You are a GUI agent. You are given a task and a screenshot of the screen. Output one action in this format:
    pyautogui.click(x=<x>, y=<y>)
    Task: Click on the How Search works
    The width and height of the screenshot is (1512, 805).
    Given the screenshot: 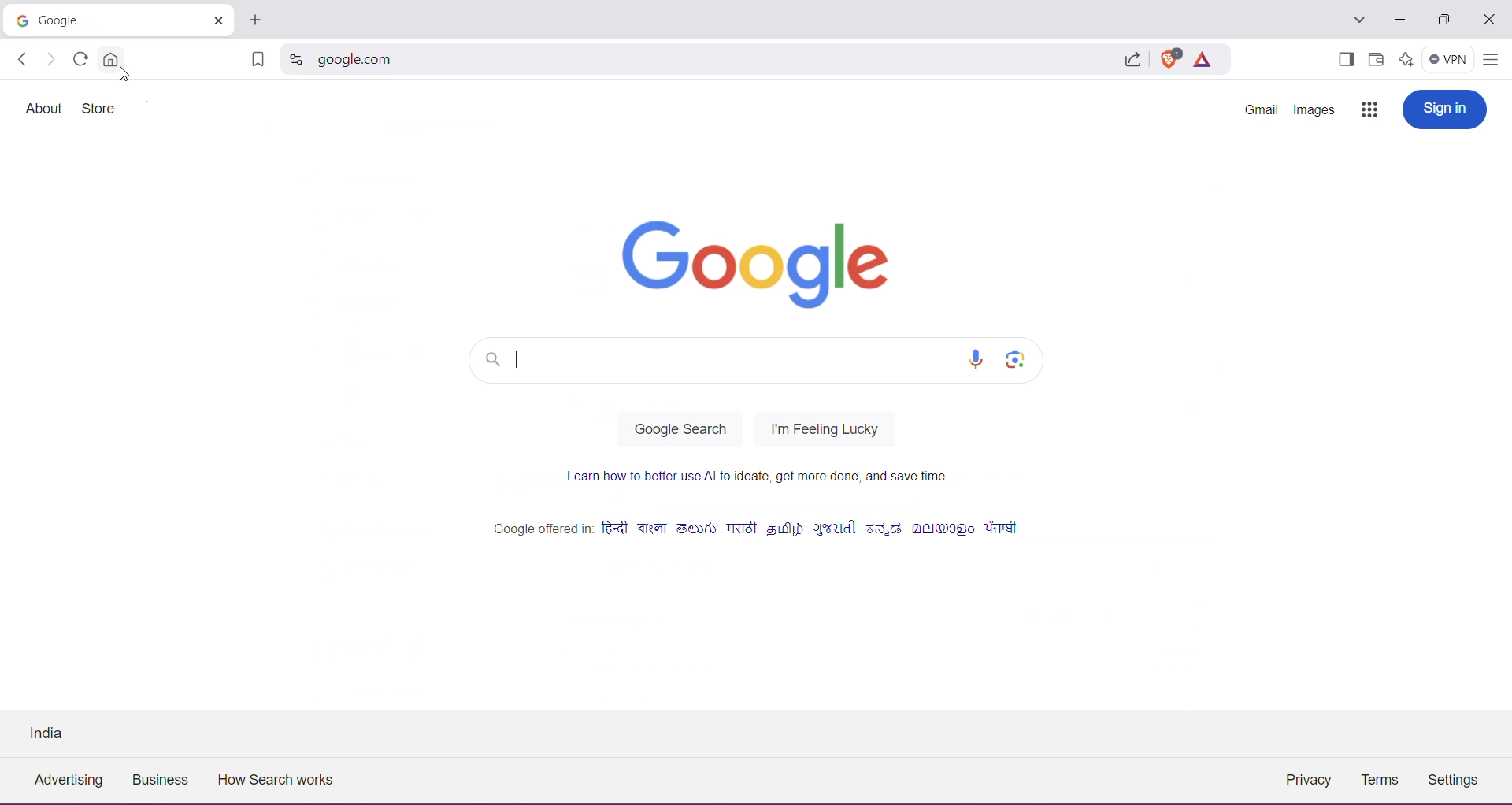 What is the action you would take?
    pyautogui.click(x=283, y=779)
    